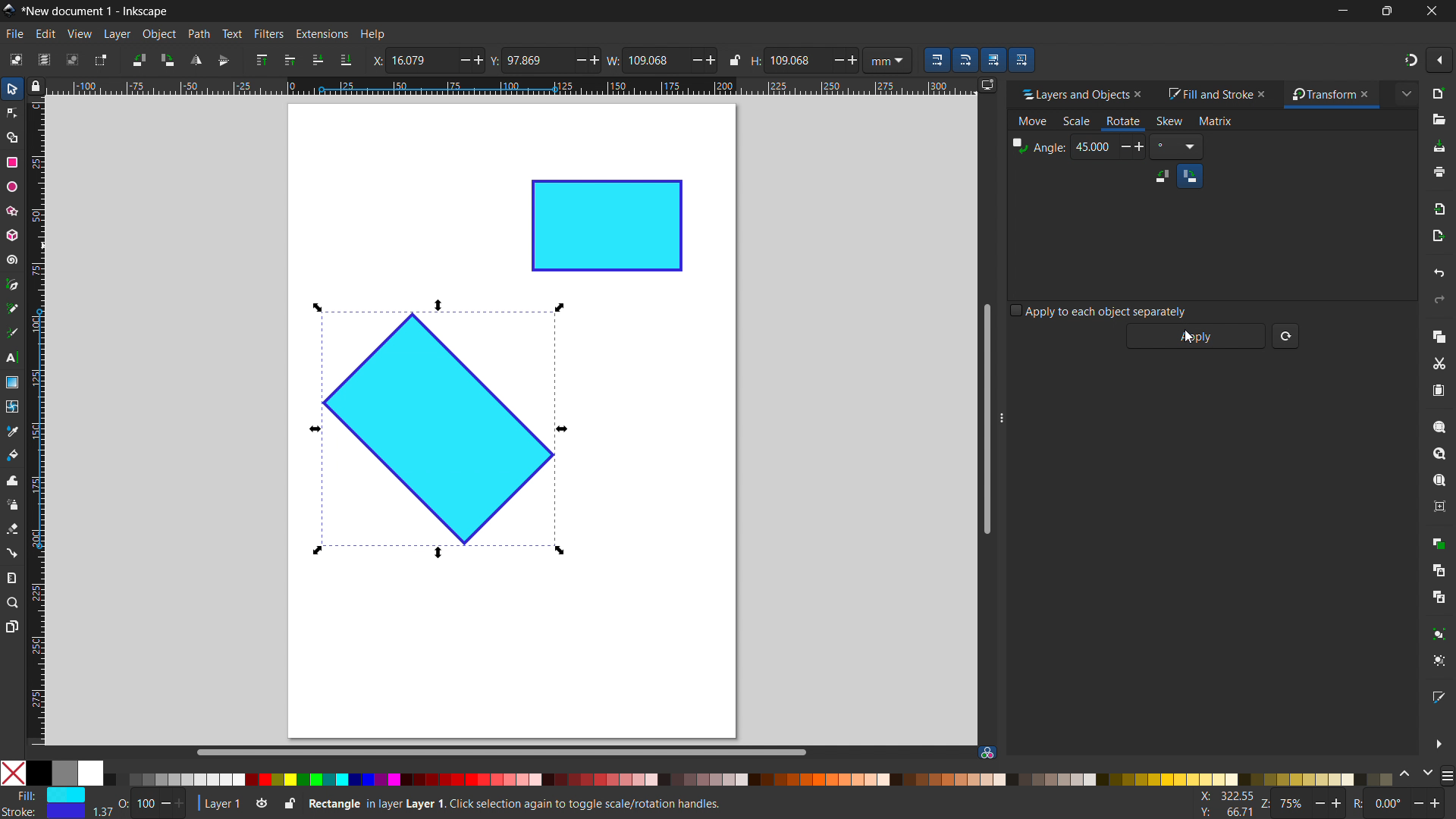 The height and width of the screenshot is (819, 1456). What do you see at coordinates (14, 772) in the screenshot?
I see `No color` at bounding box center [14, 772].